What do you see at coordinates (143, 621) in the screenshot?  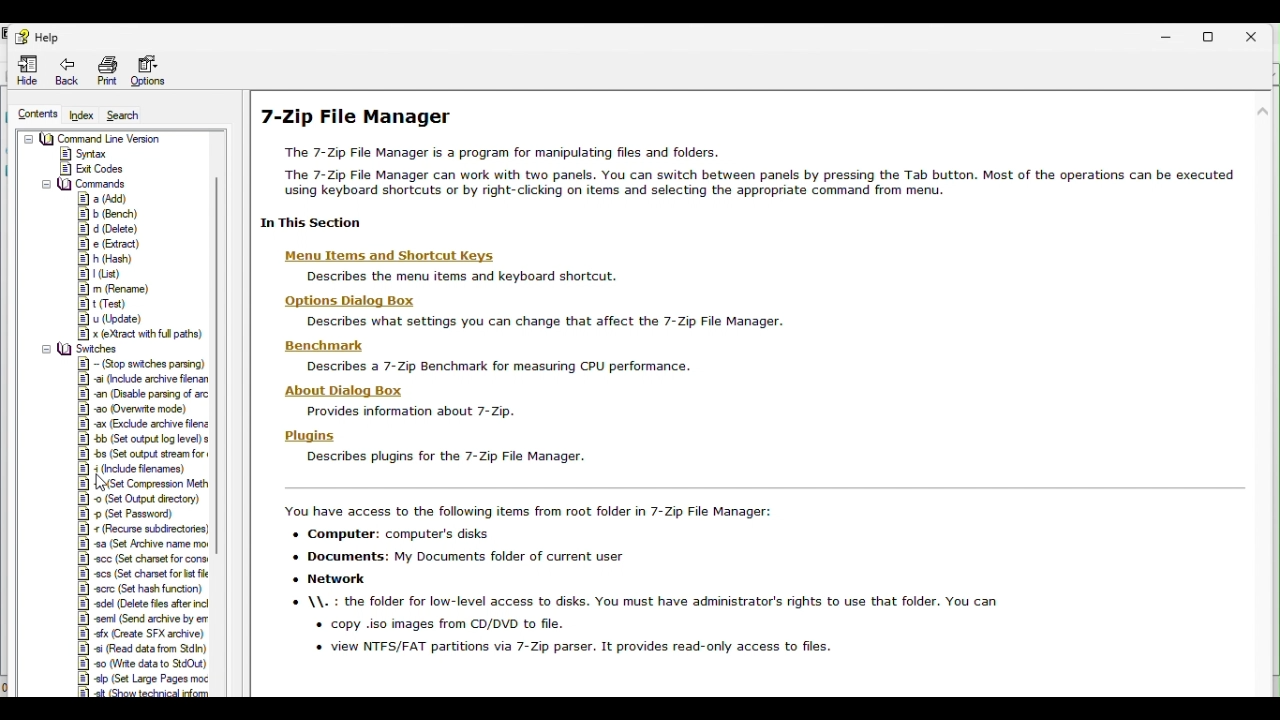 I see `send archive` at bounding box center [143, 621].